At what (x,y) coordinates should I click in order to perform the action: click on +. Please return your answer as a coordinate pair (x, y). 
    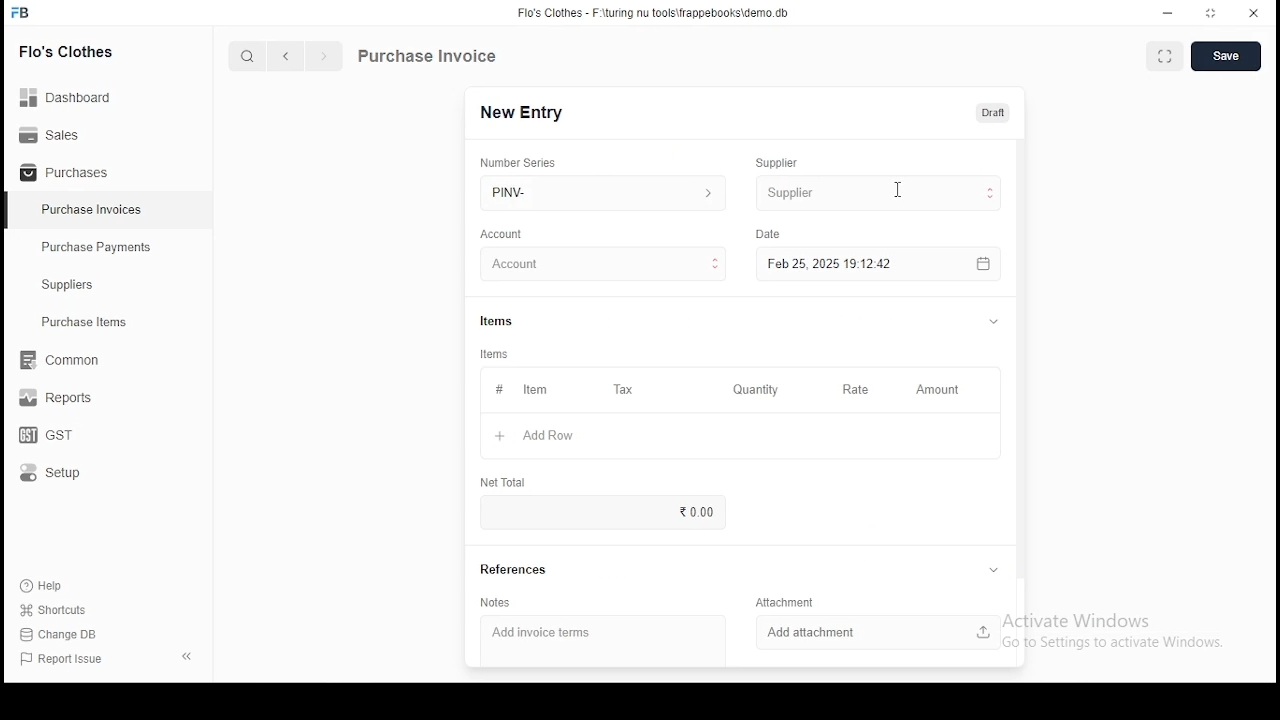
    Looking at the image, I should click on (499, 437).